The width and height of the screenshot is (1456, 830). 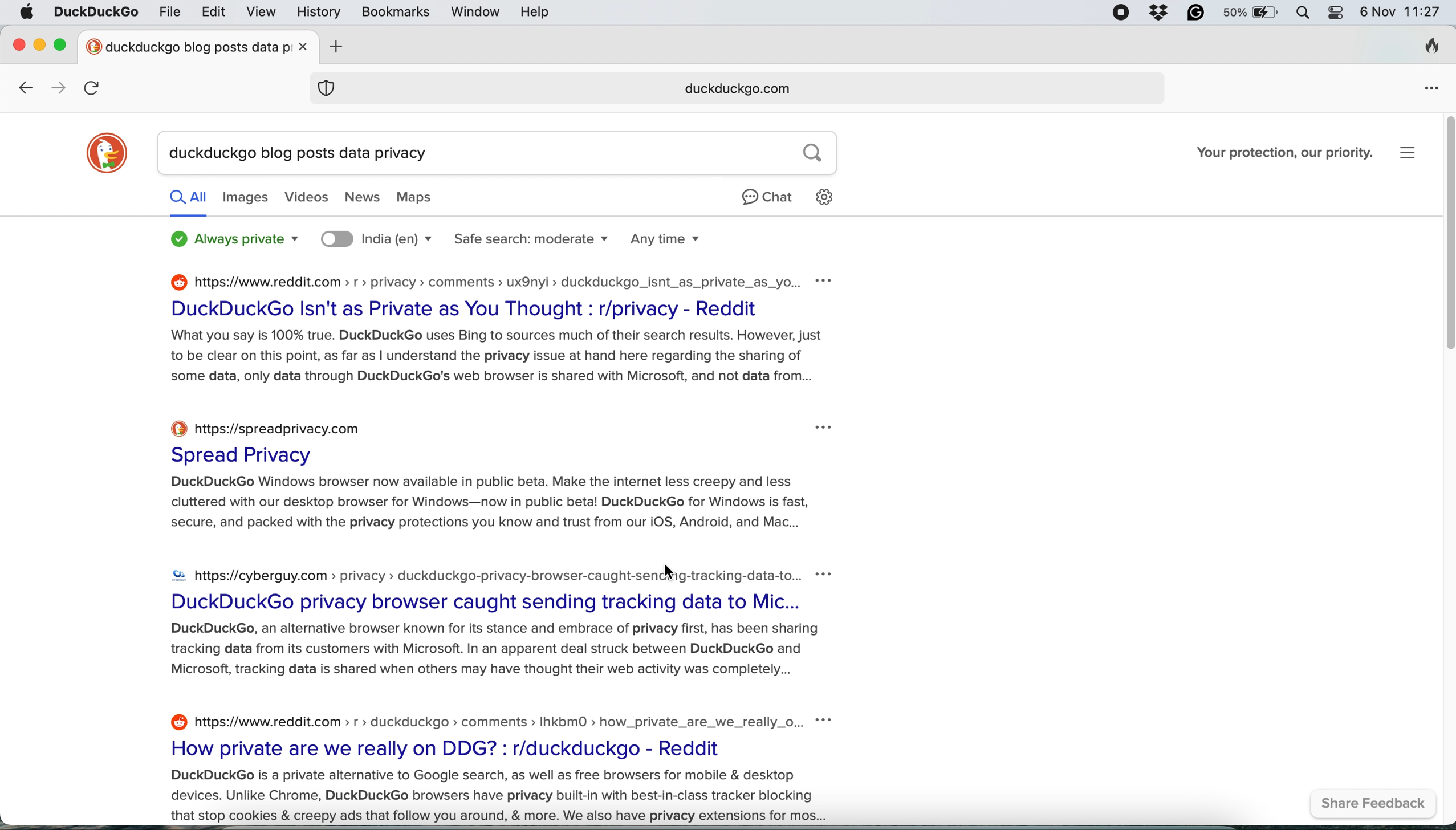 I want to click on search feedback, so click(x=1379, y=804).